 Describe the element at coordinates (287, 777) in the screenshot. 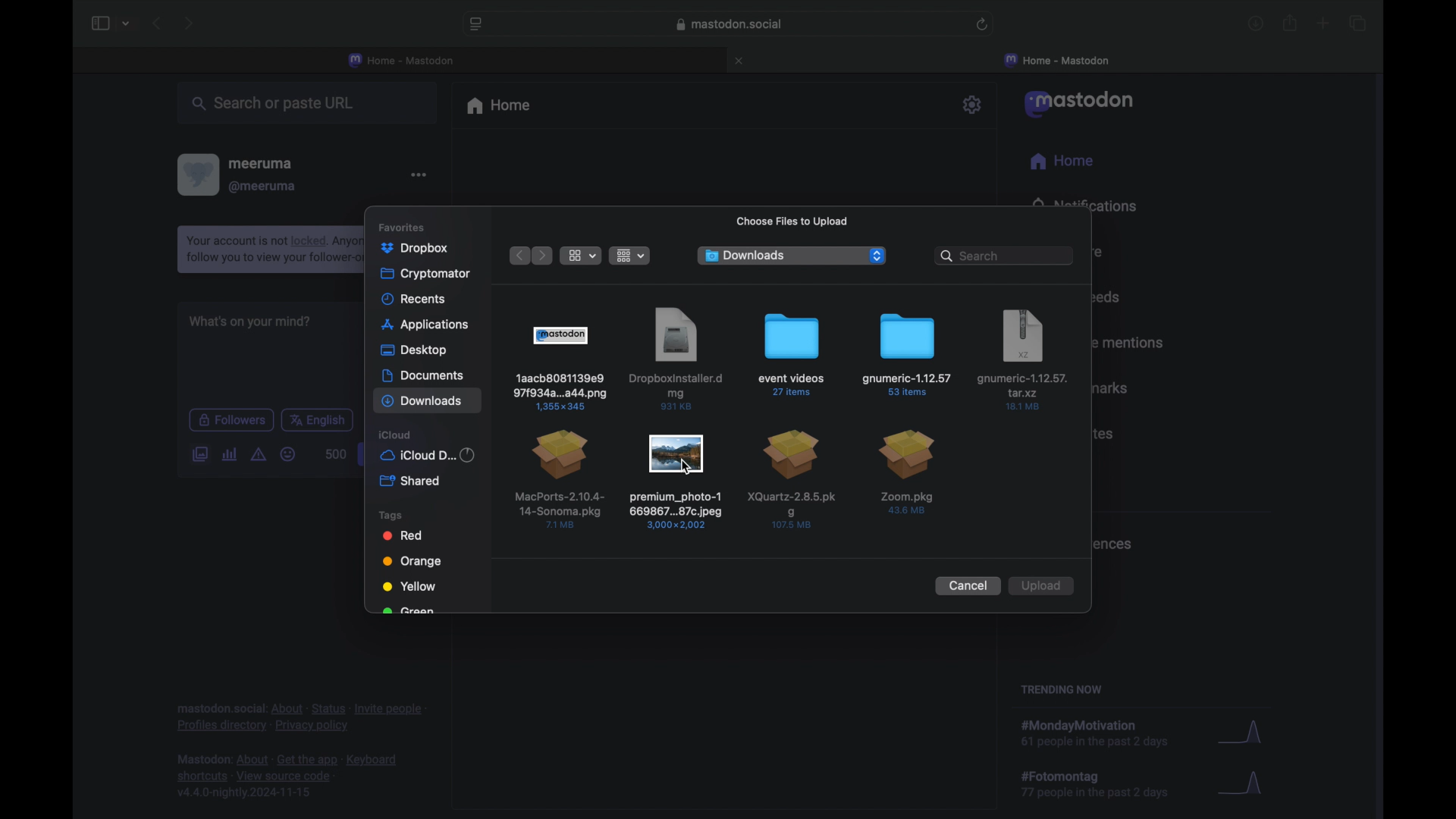

I see `footnote` at that location.